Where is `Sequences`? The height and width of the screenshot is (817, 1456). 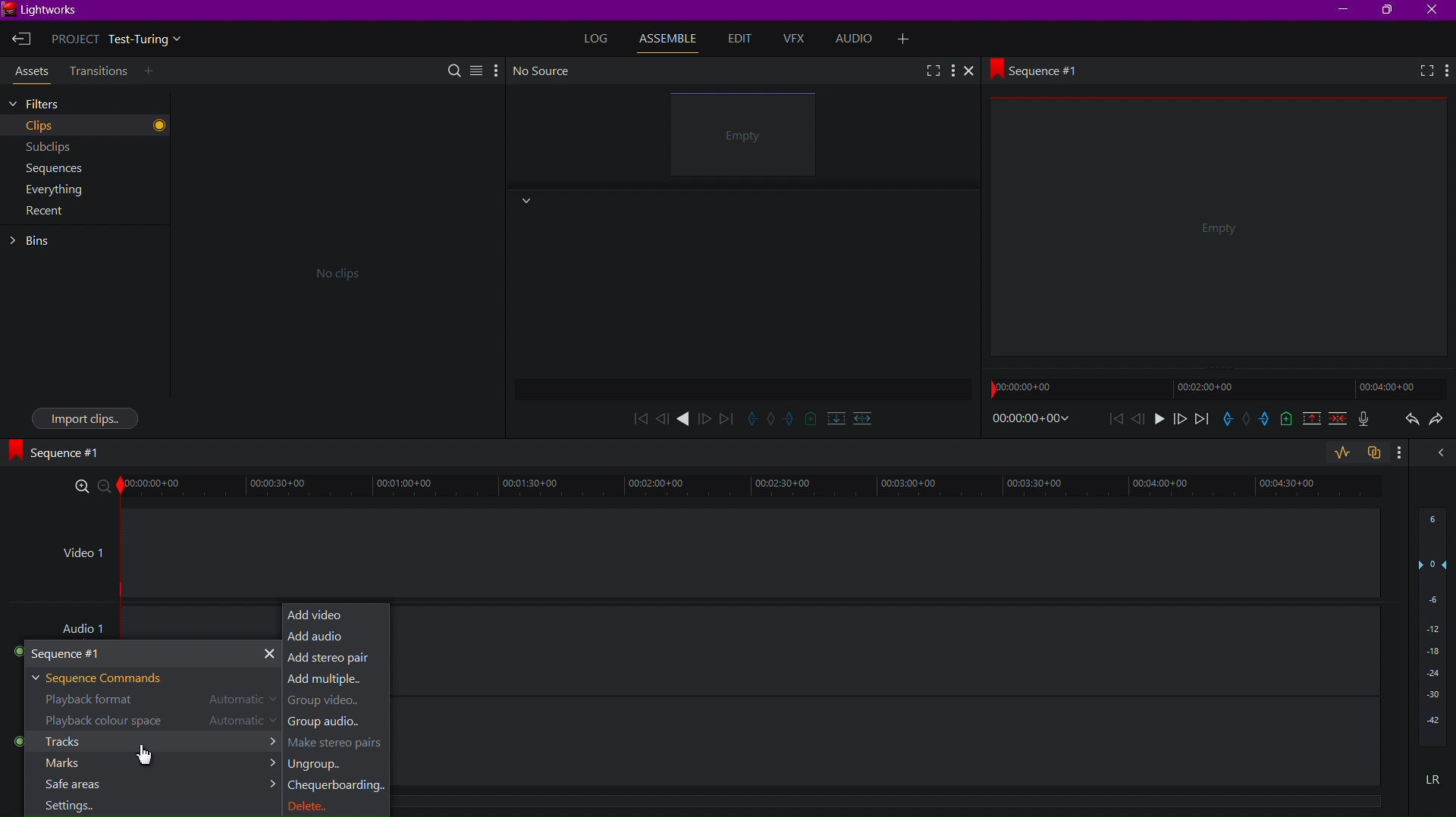 Sequences is located at coordinates (49, 169).